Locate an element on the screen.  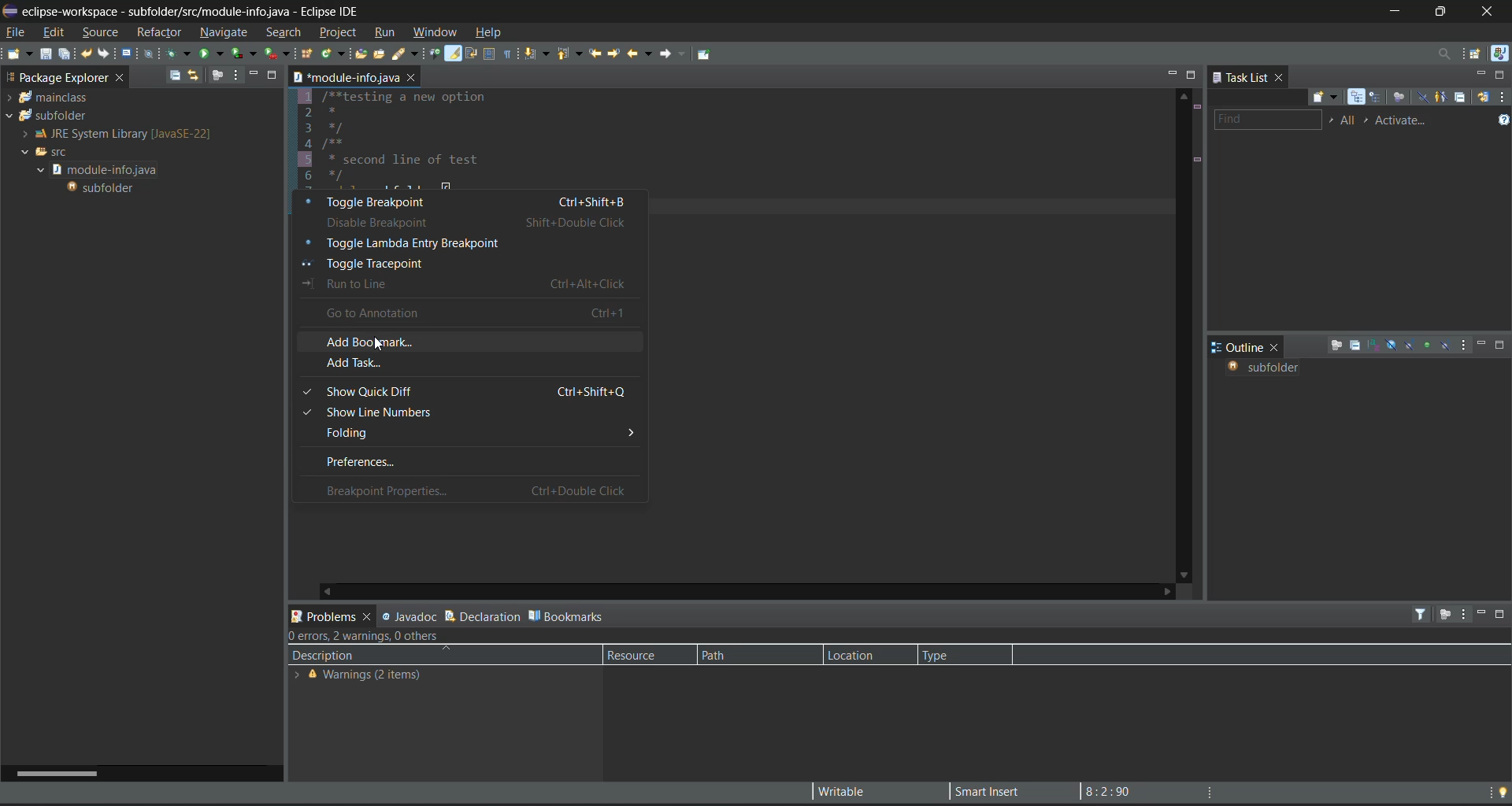
collapse all is located at coordinates (1354, 346).